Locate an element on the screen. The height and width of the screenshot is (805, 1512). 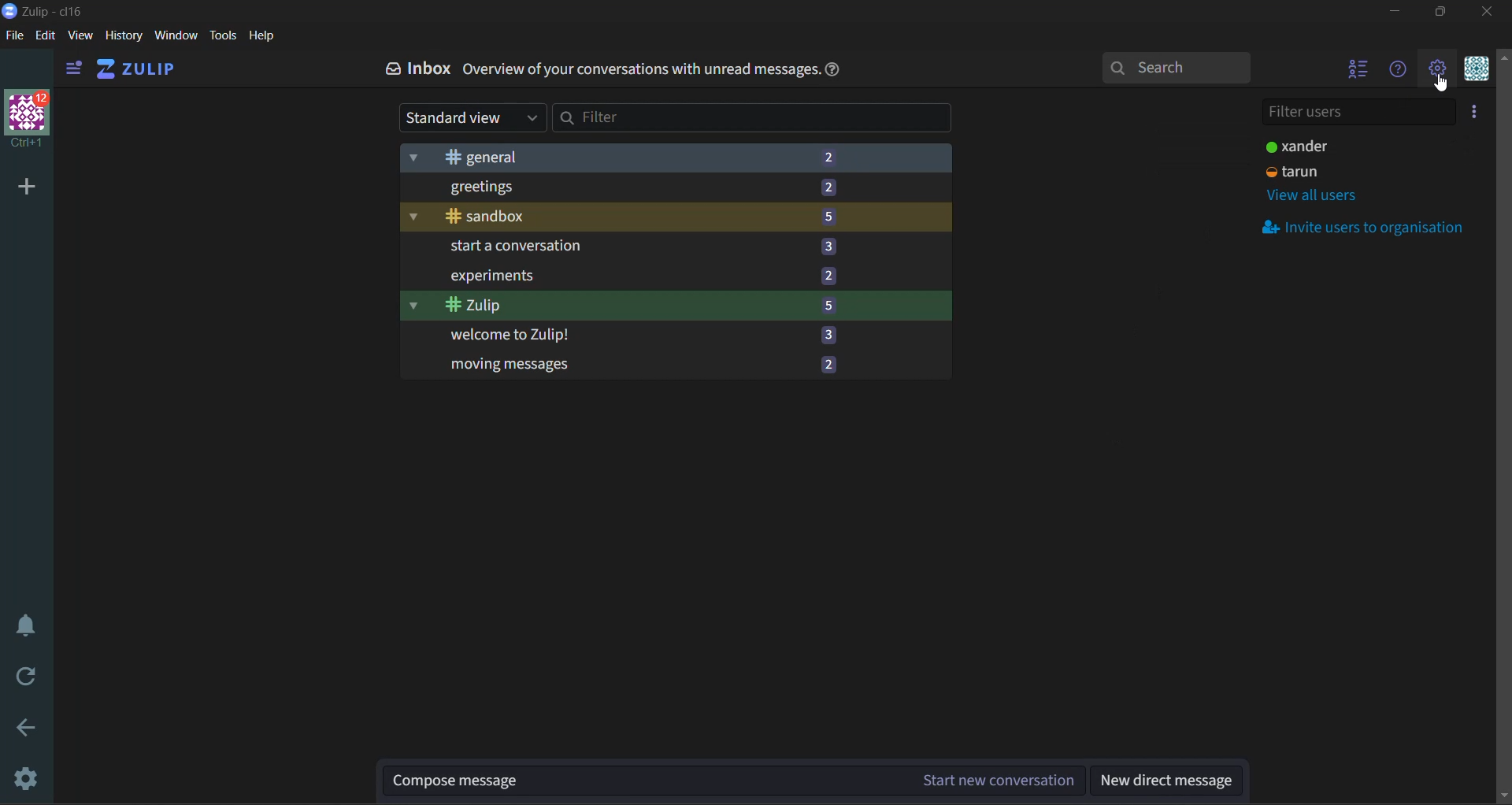
start a conversation is located at coordinates (627, 247).